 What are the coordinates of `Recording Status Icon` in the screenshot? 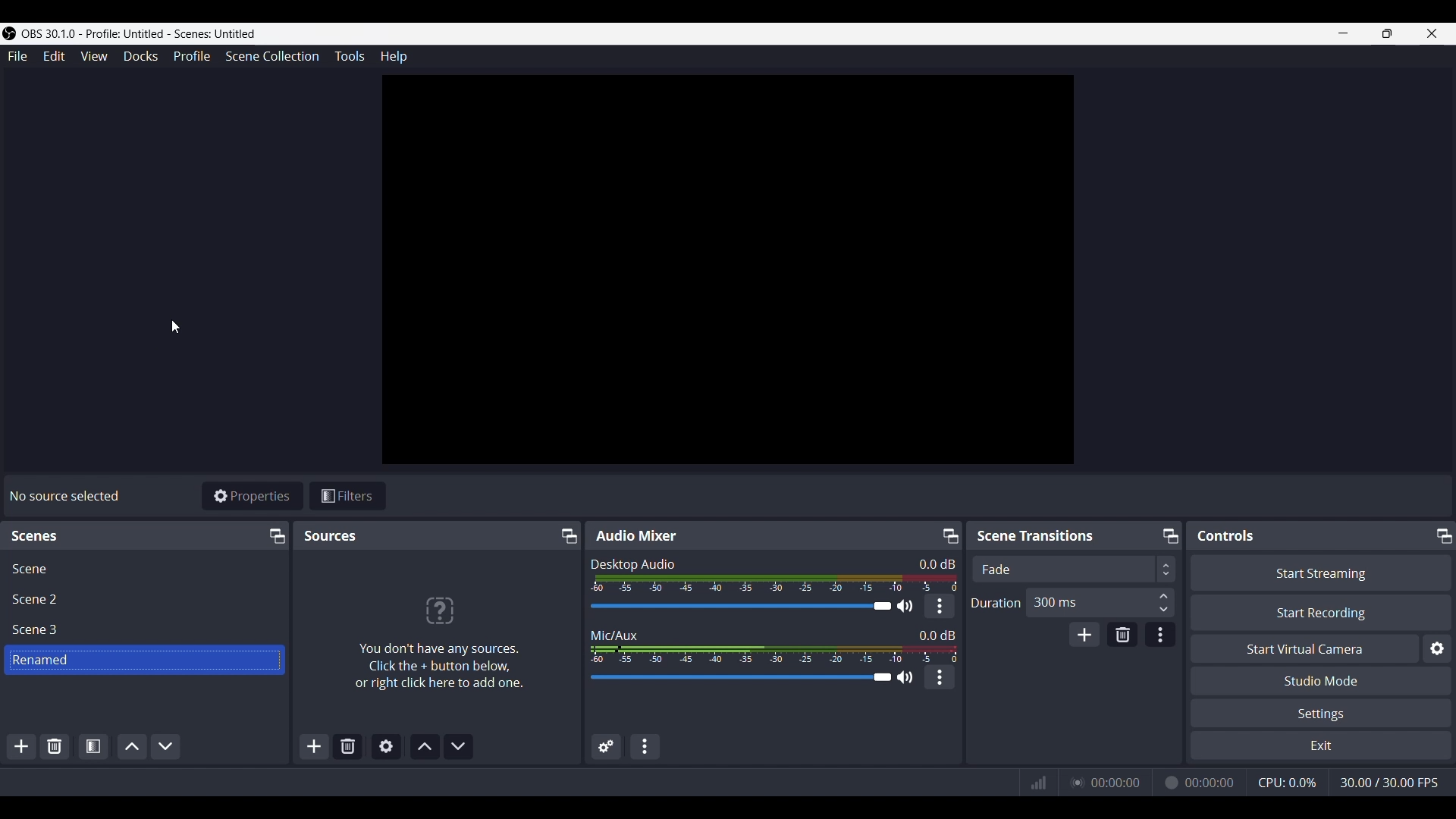 It's located at (1169, 783).